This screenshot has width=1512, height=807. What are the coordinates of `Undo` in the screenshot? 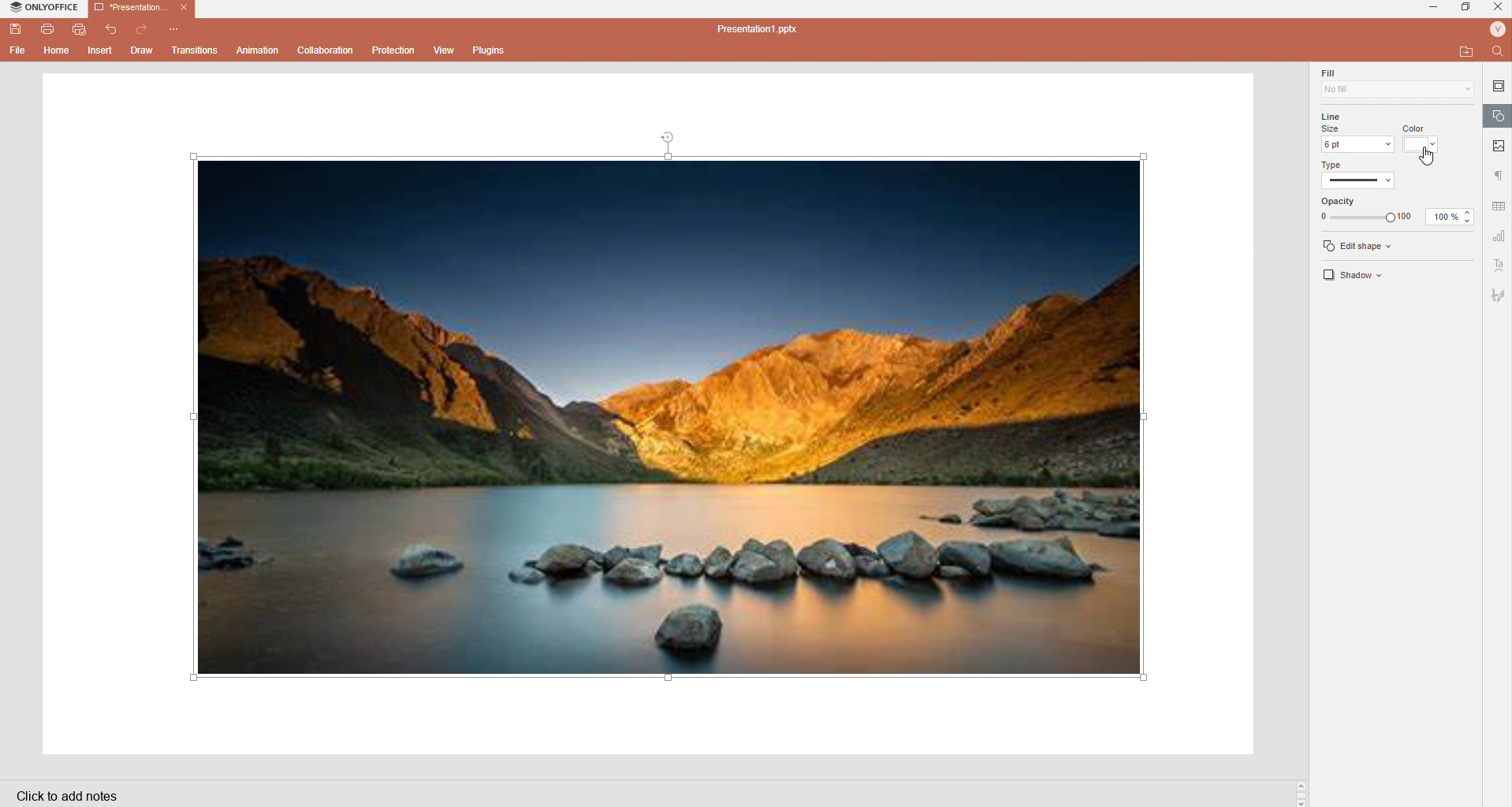 It's located at (115, 29).